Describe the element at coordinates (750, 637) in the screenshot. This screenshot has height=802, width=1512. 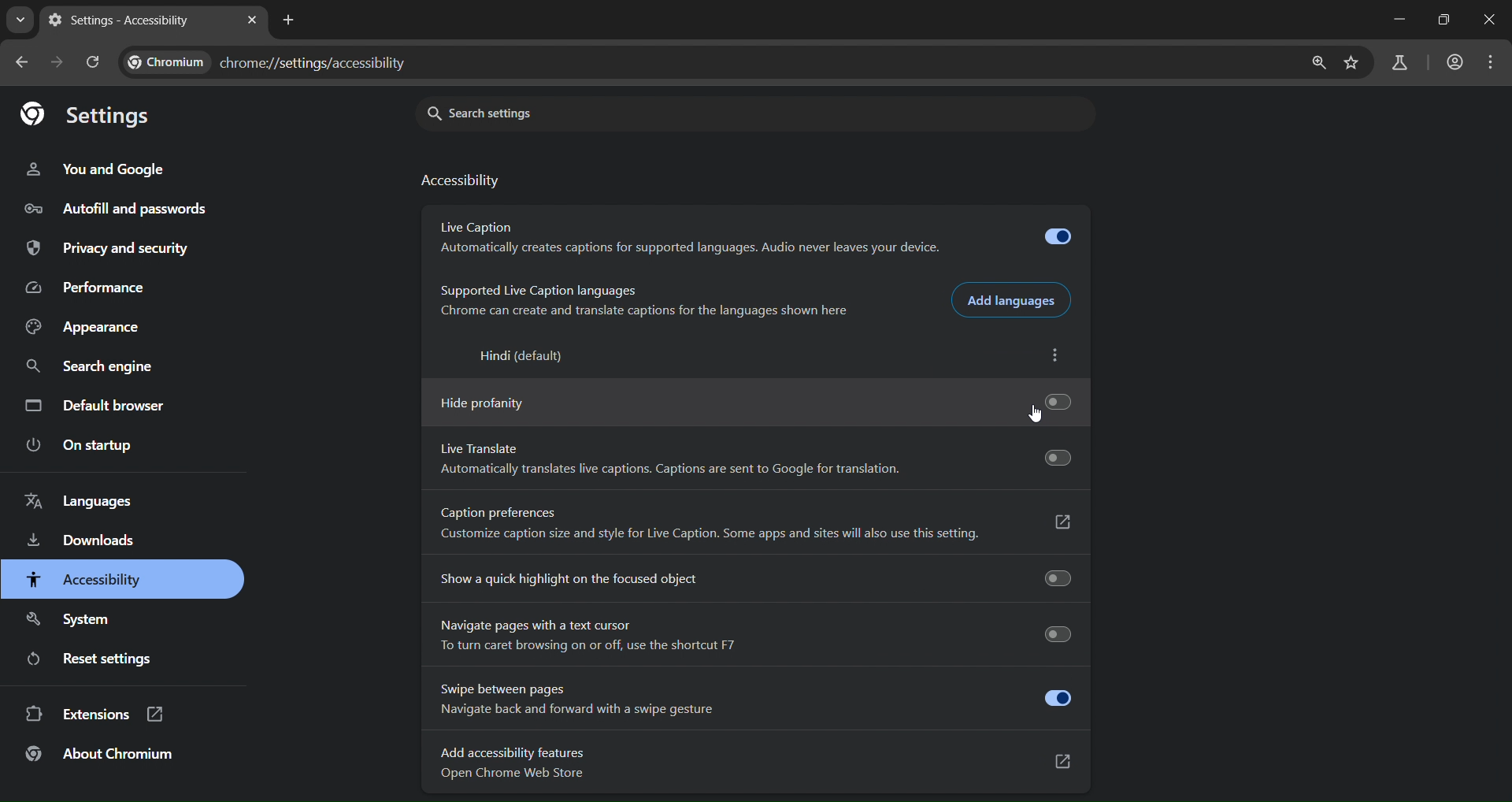
I see `Navigate pages with a text cursor
To turn caret browsing on or off, use the shortcut F7` at that location.